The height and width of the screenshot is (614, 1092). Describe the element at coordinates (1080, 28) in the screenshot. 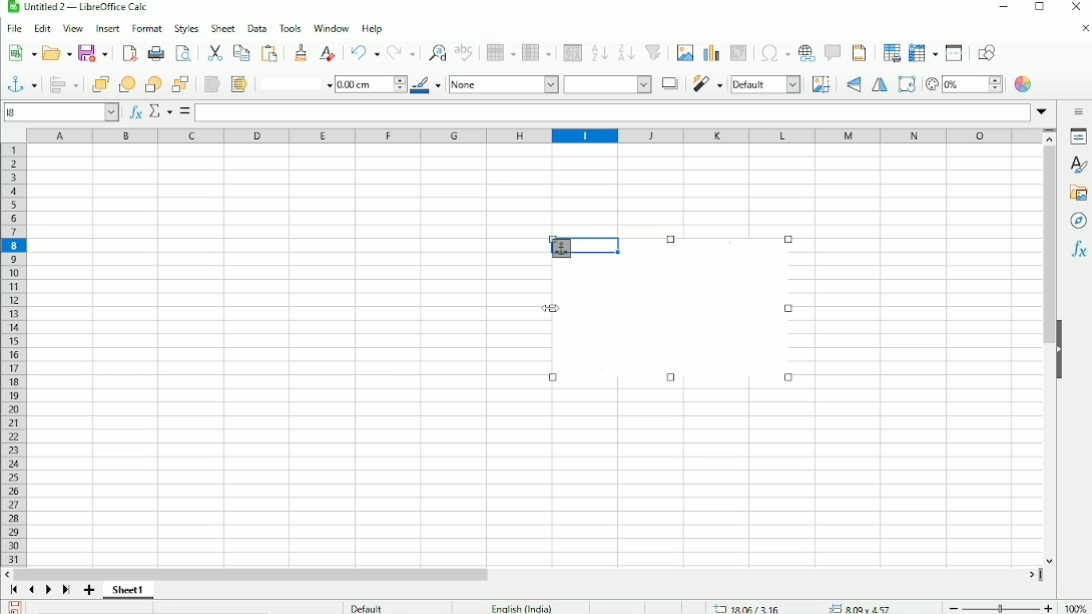

I see `Close document` at that location.